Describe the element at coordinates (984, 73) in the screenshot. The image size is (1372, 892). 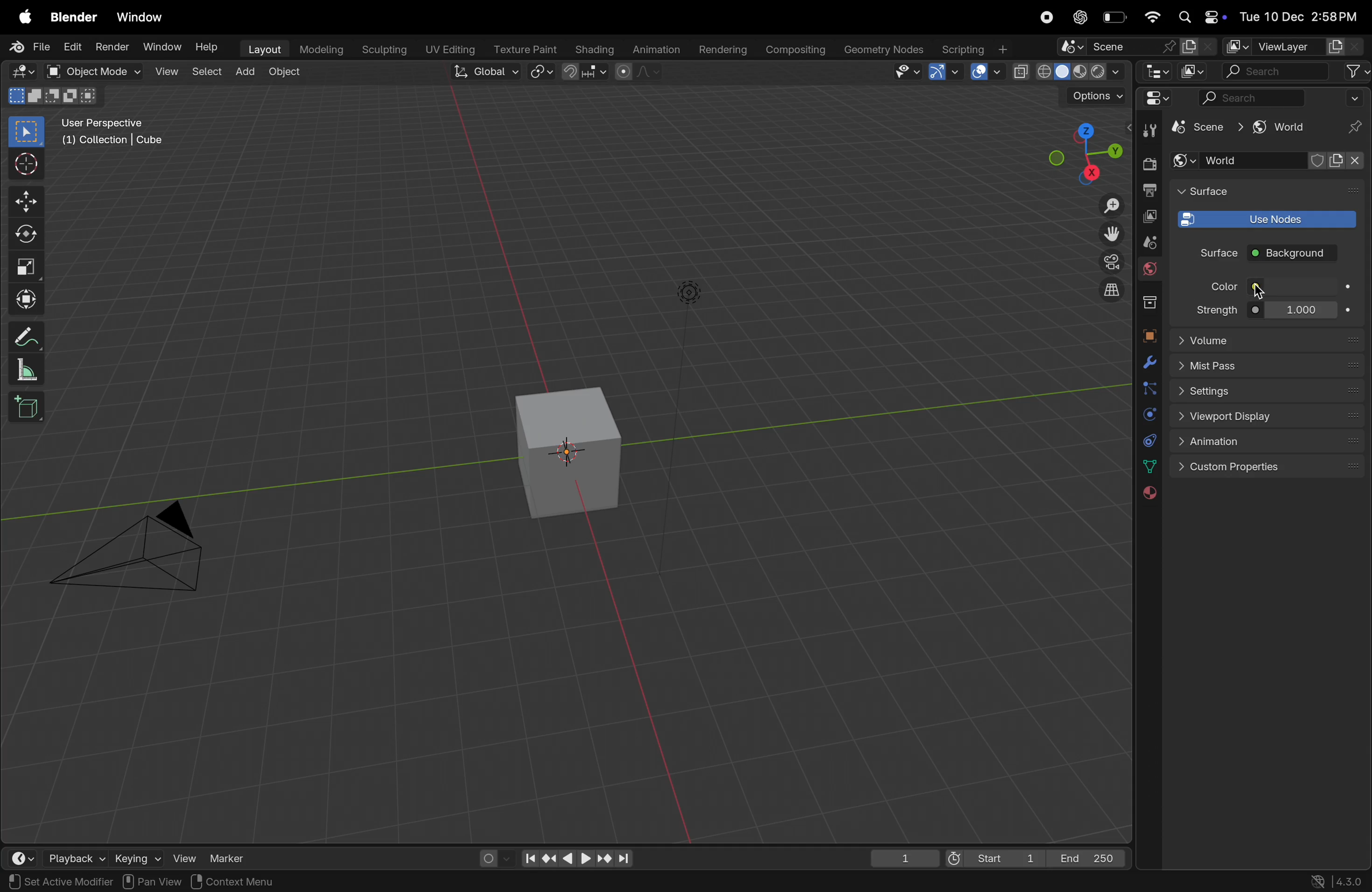
I see `Show overlays` at that location.